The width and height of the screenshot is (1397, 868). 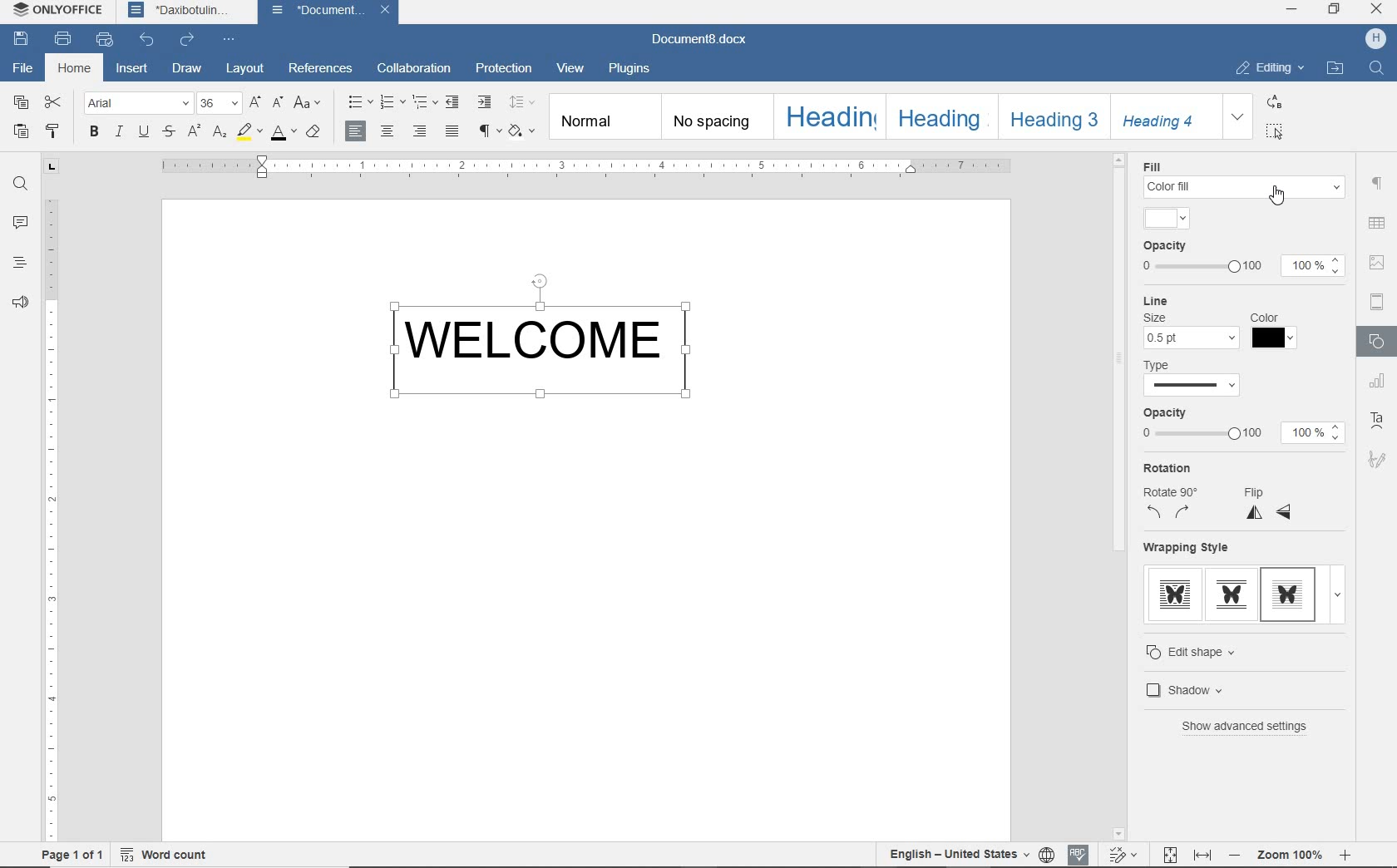 What do you see at coordinates (833, 115) in the screenshot?
I see `HEADING` at bounding box center [833, 115].